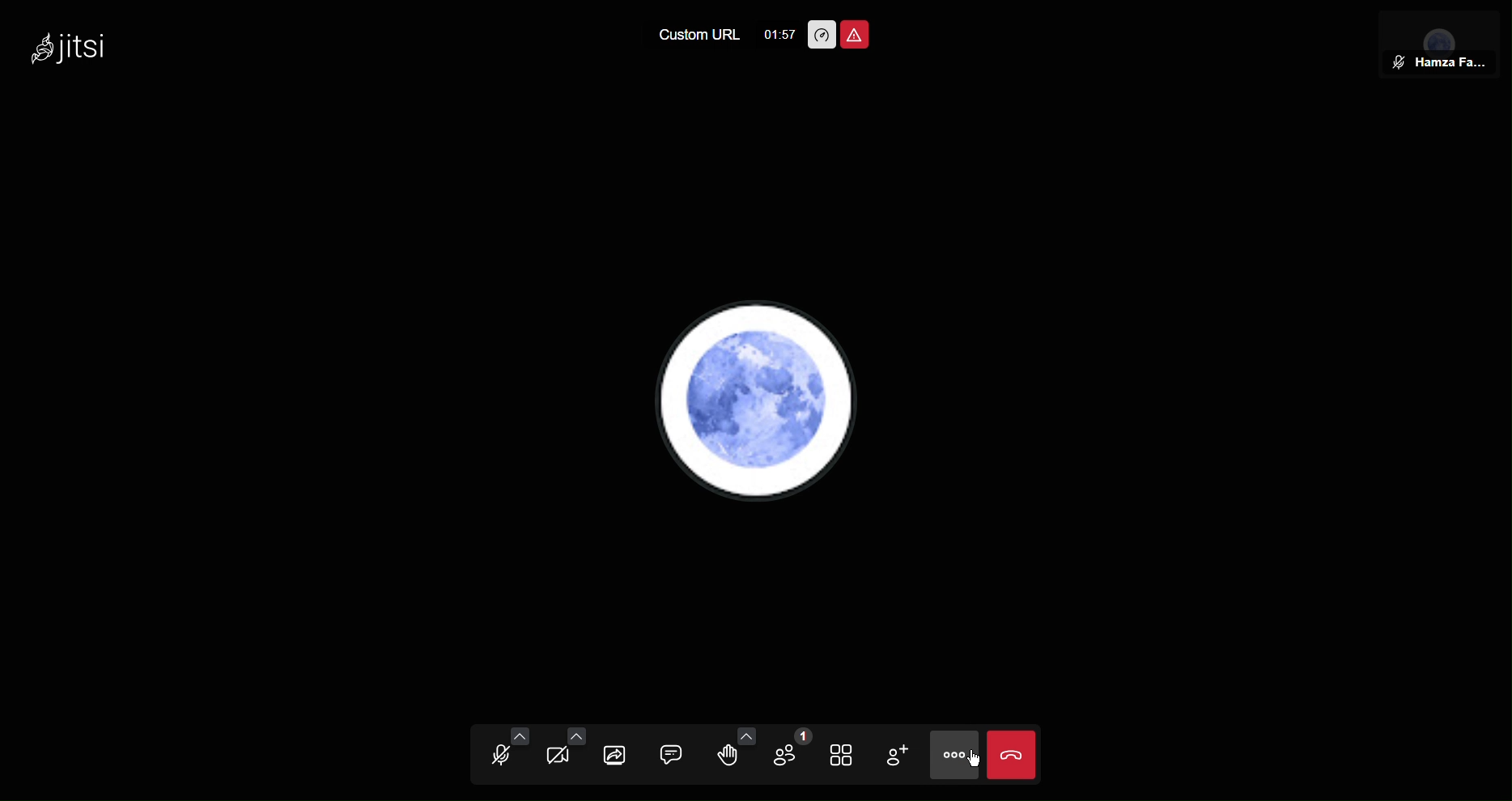  What do you see at coordinates (1013, 753) in the screenshot?
I see `Close` at bounding box center [1013, 753].